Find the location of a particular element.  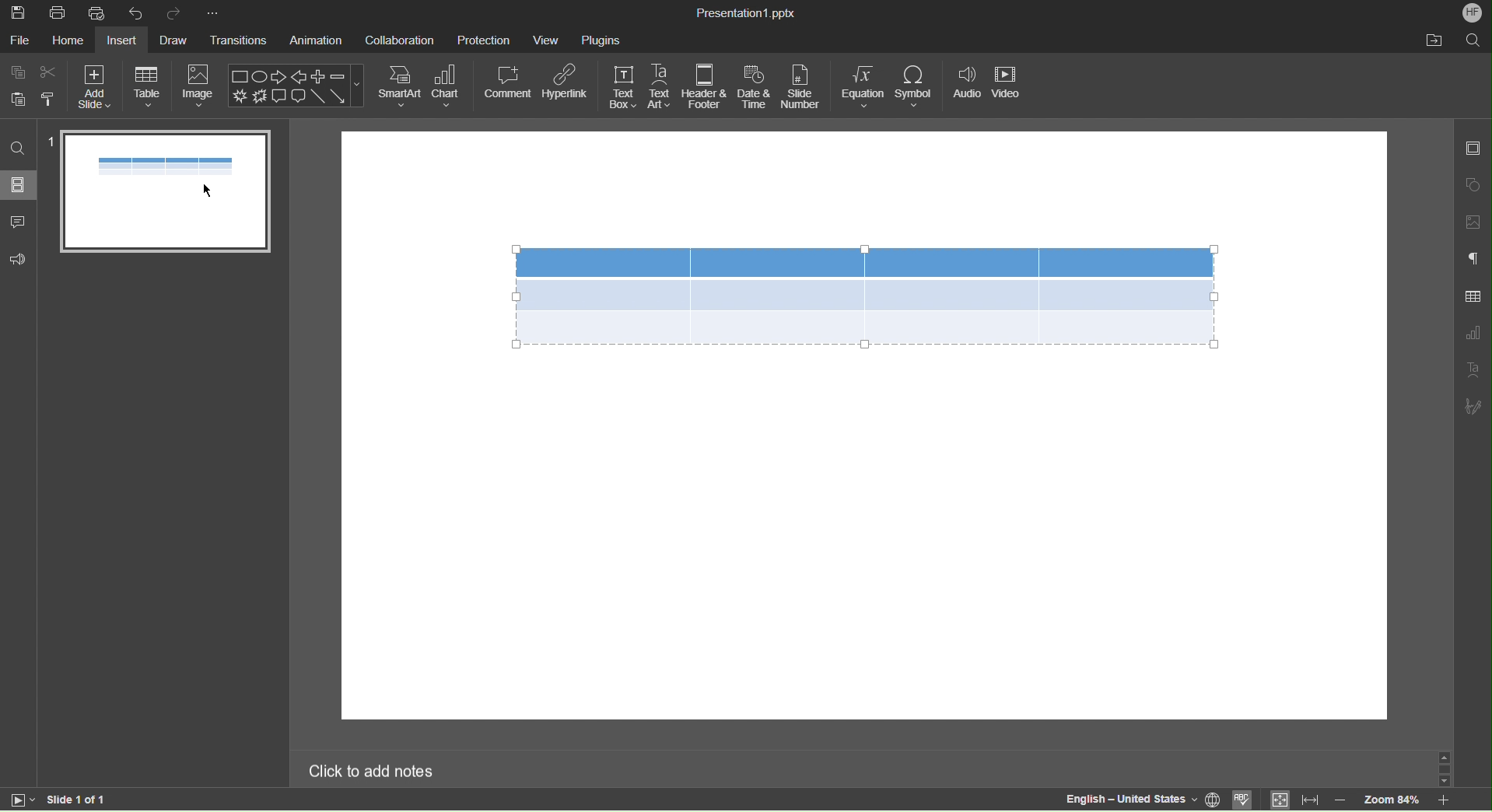

Click to add notes is located at coordinates (373, 769).